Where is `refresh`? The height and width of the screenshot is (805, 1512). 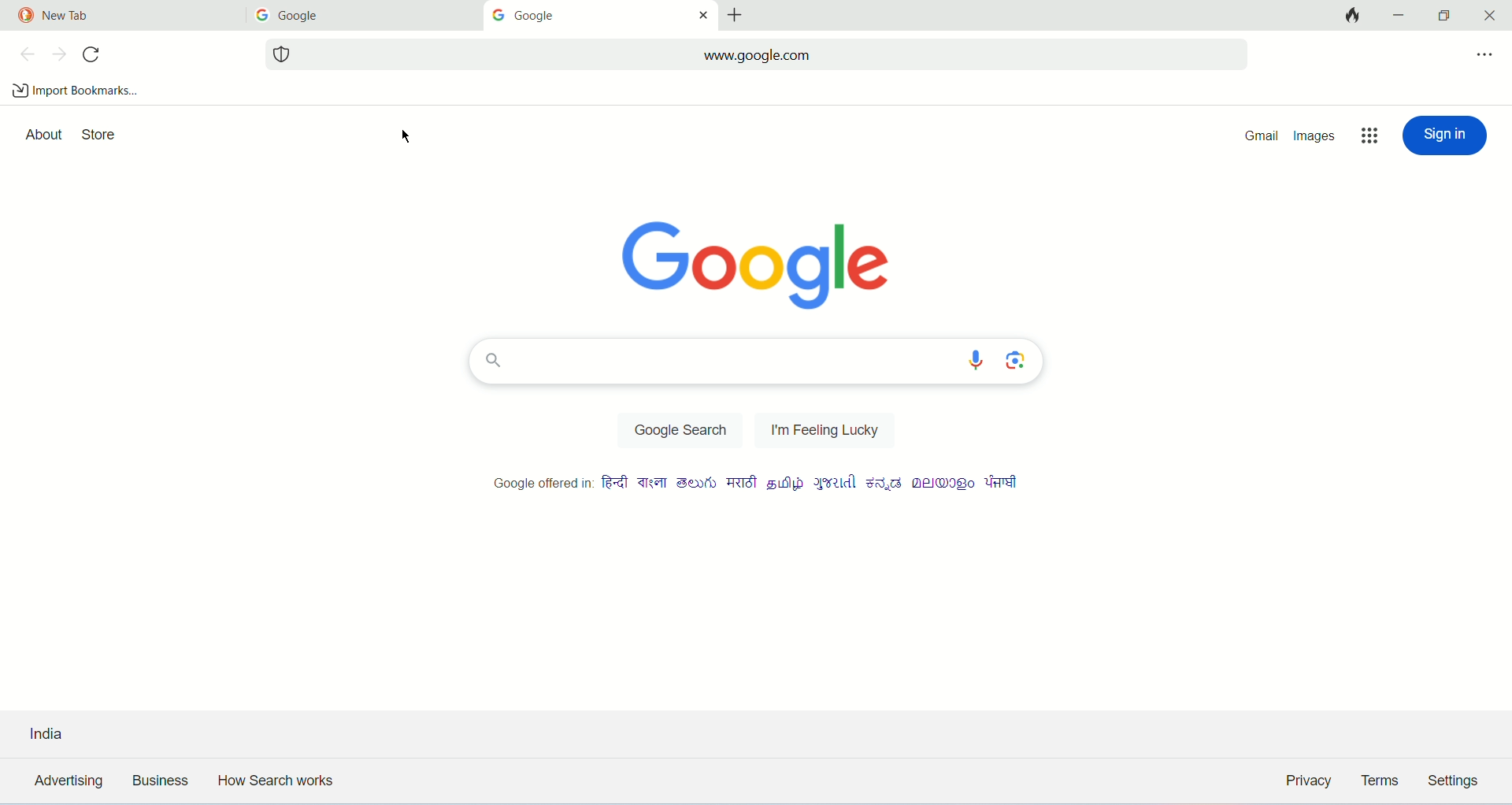
refresh is located at coordinates (95, 57).